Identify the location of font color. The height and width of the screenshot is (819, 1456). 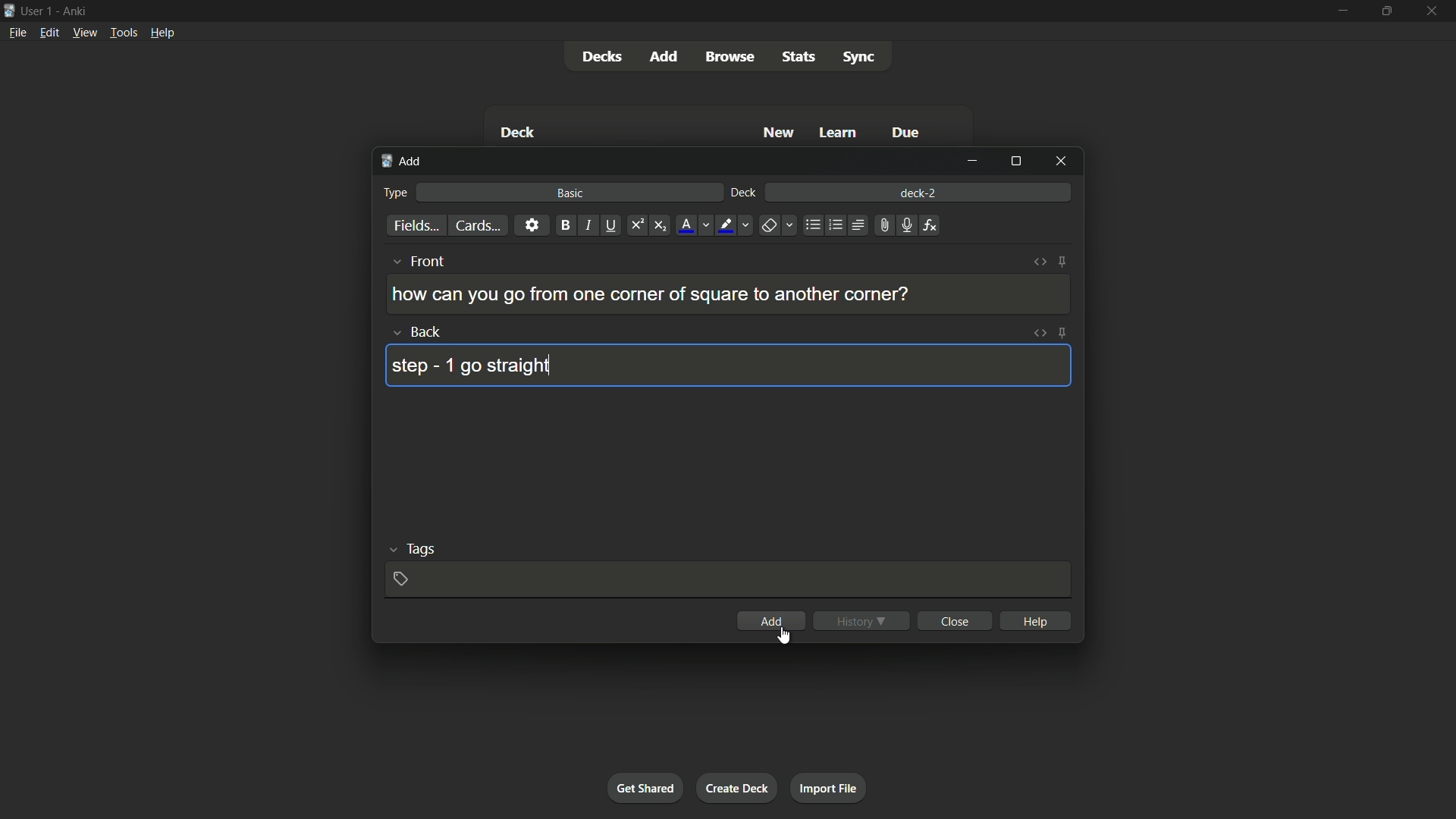
(695, 225).